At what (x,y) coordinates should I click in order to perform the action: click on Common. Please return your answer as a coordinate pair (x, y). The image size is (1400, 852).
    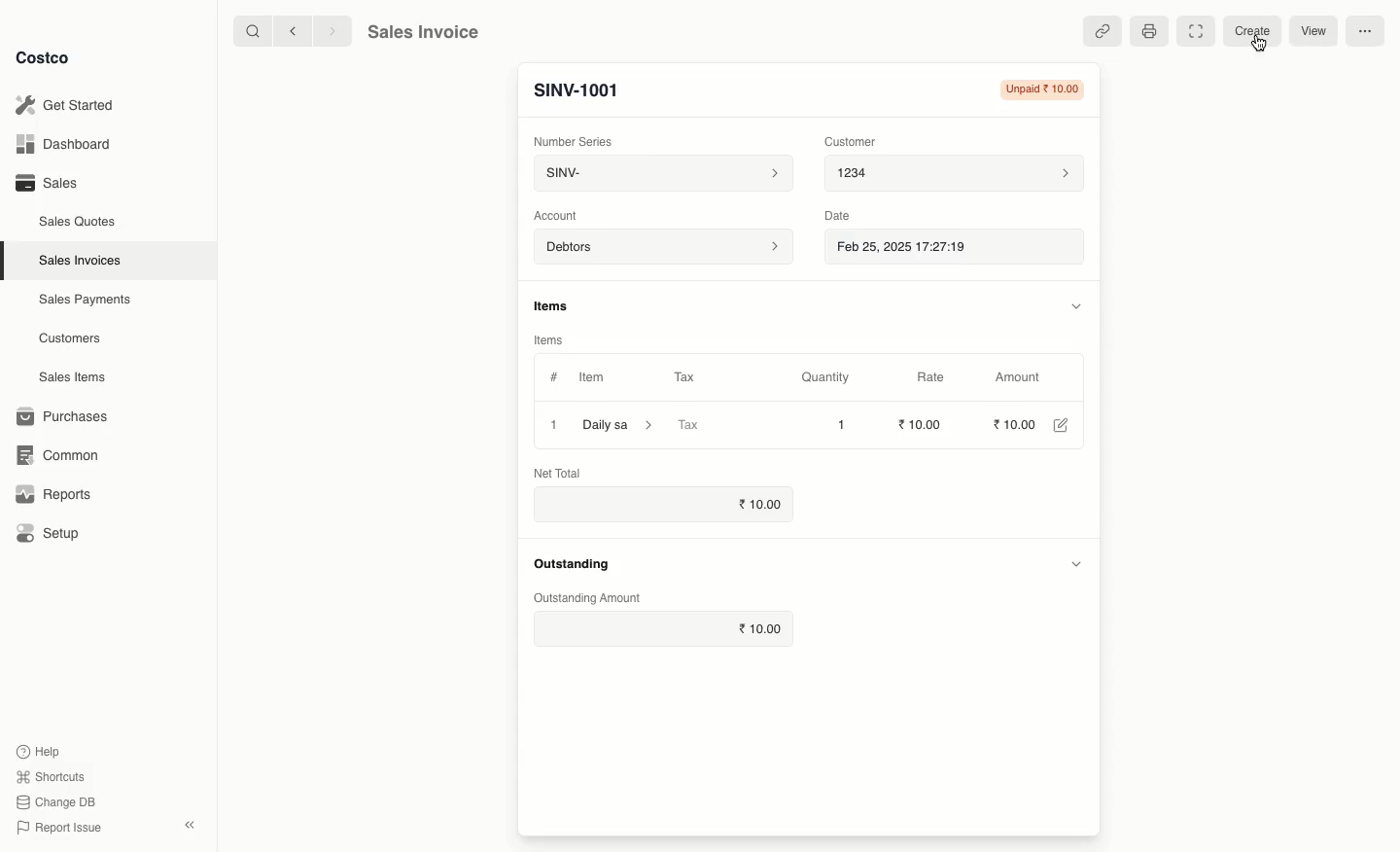
    Looking at the image, I should click on (60, 456).